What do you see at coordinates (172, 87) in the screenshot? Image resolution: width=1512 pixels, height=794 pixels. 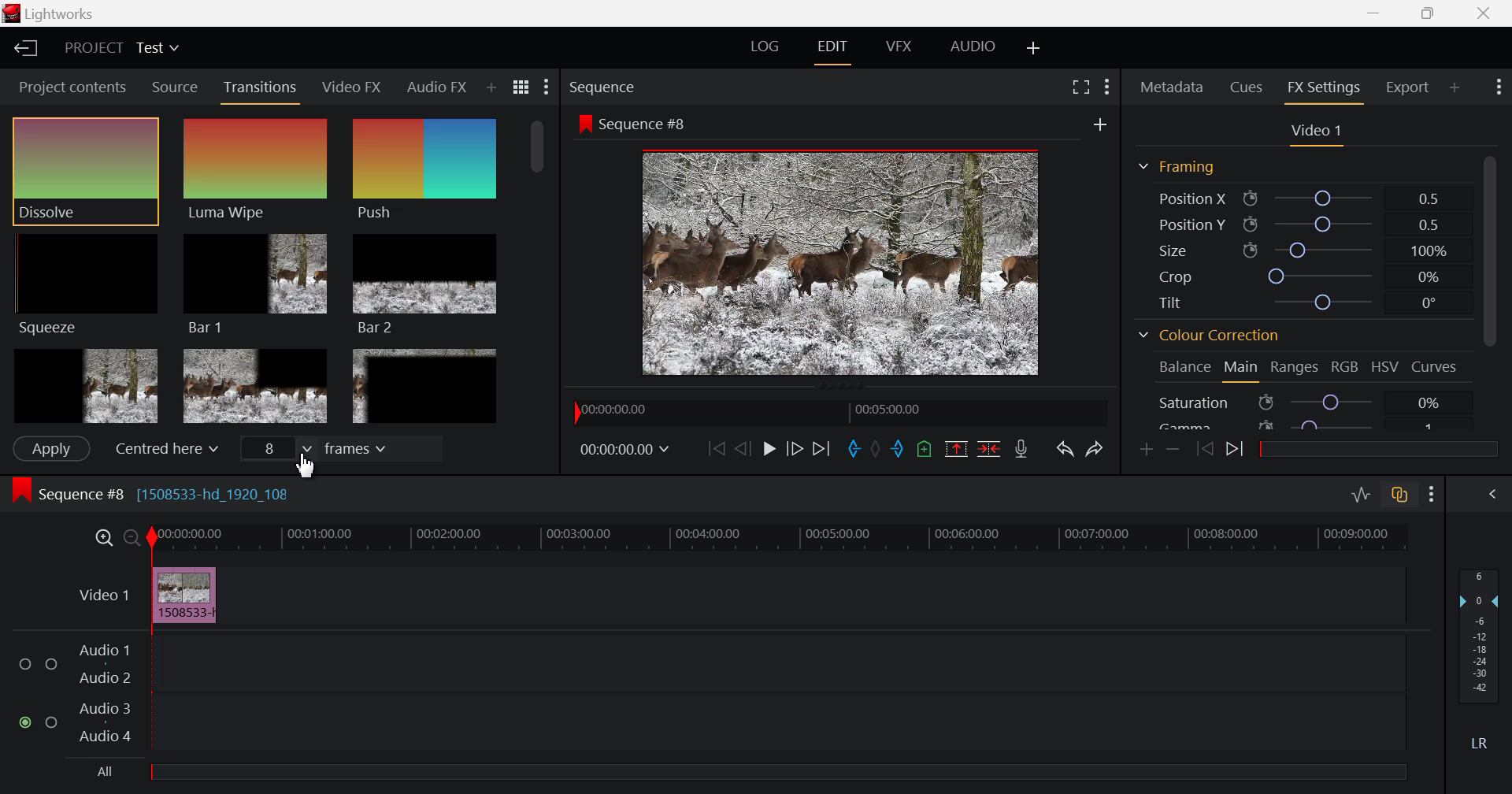 I see `Source` at bounding box center [172, 87].